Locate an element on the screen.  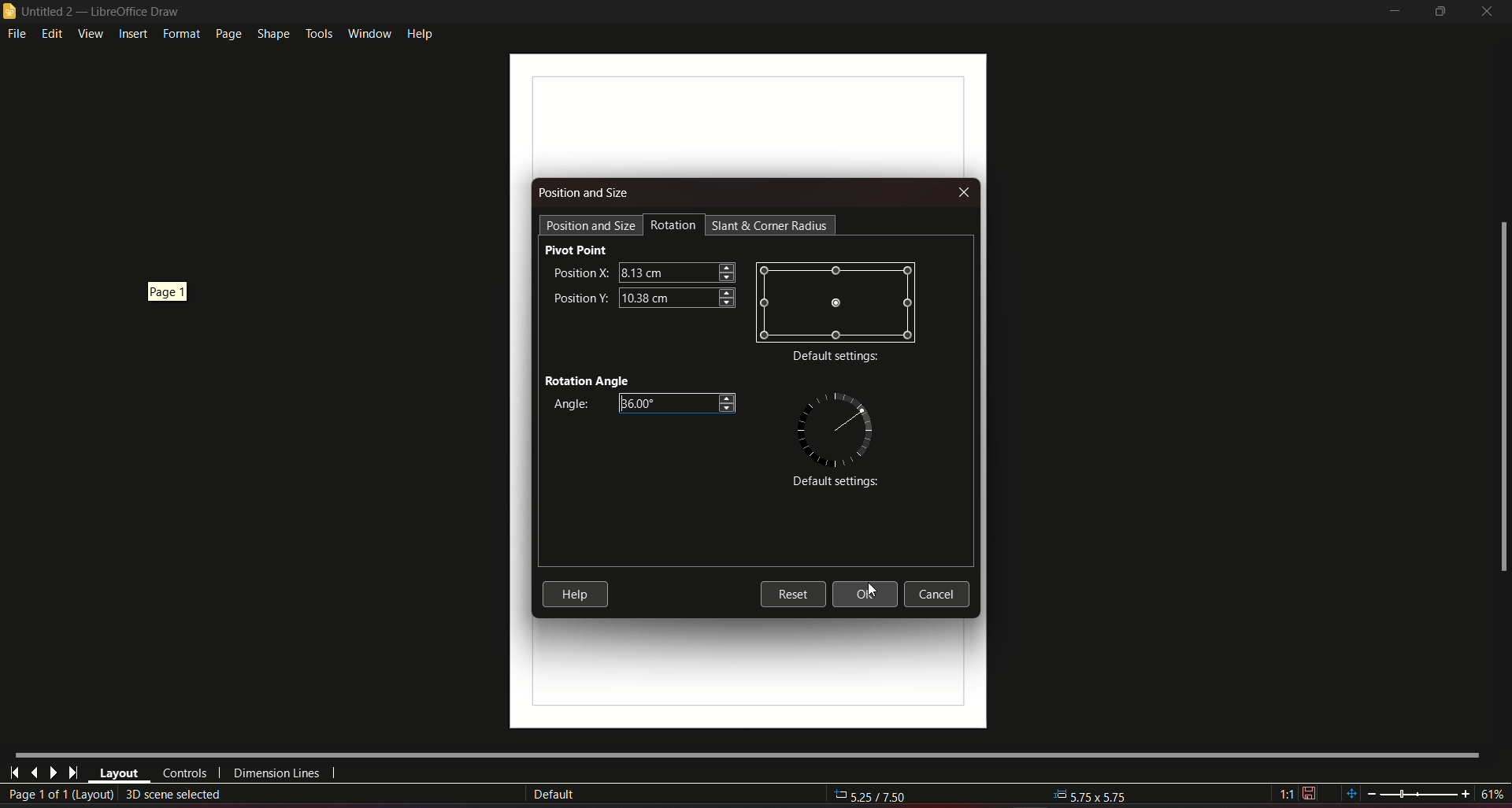
Rotation Angle is located at coordinates (587, 379).